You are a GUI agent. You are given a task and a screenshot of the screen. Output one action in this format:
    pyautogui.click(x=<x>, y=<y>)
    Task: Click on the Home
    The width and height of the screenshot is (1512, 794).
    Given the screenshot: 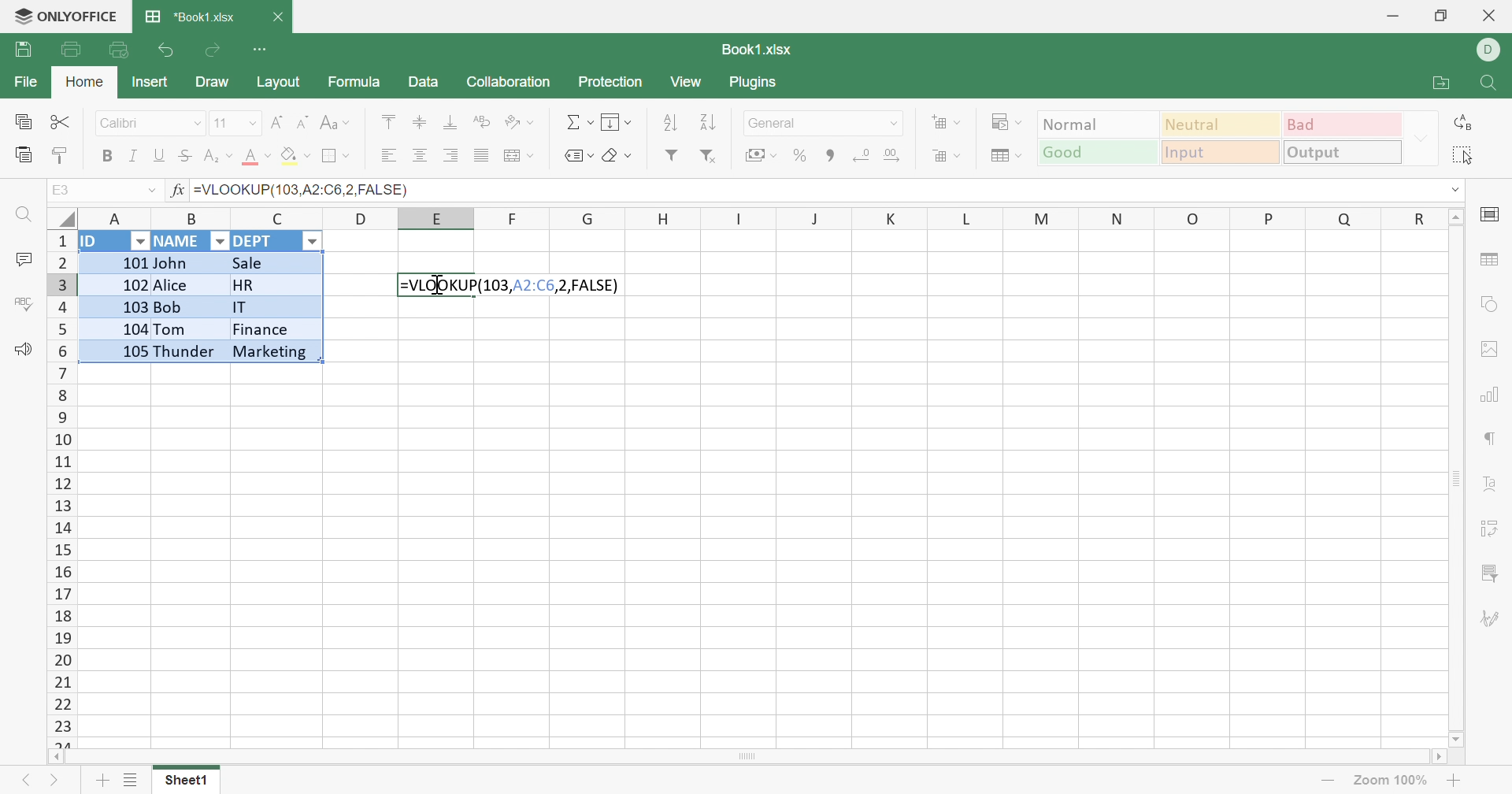 What is the action you would take?
    pyautogui.click(x=82, y=83)
    